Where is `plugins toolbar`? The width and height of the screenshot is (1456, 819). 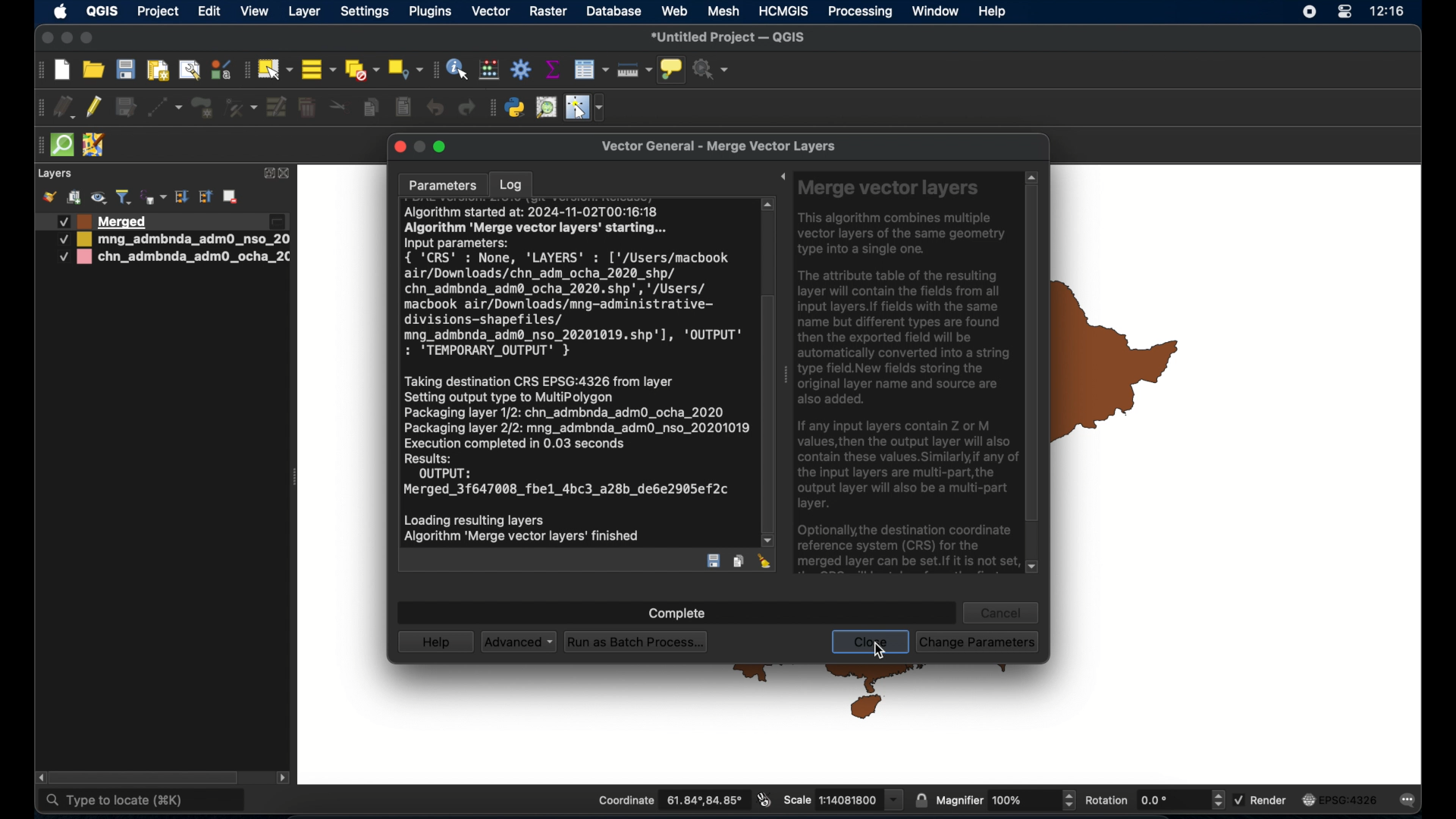 plugins toolbar is located at coordinates (491, 106).